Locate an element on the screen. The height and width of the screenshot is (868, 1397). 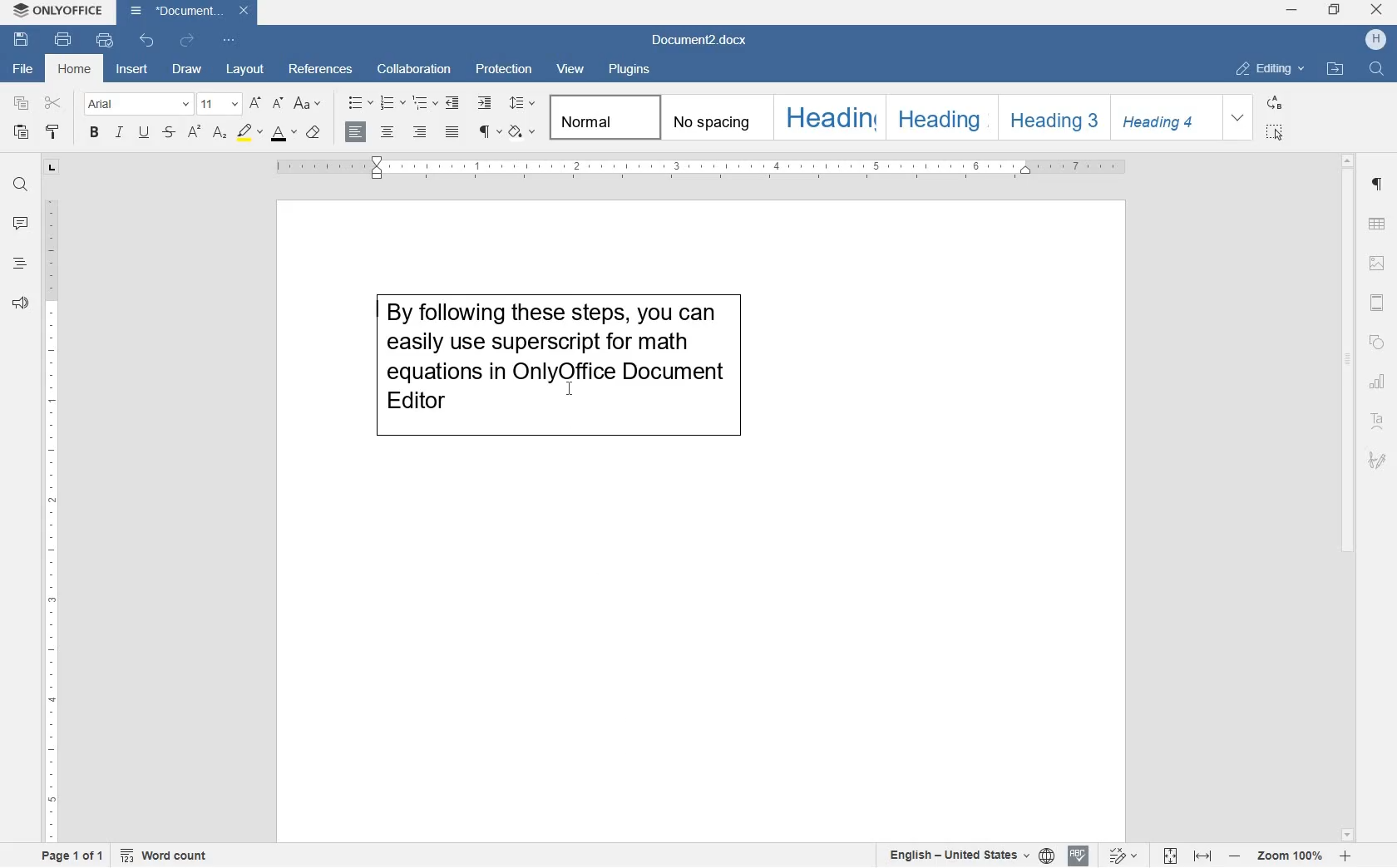
spell checking is located at coordinates (1079, 856).